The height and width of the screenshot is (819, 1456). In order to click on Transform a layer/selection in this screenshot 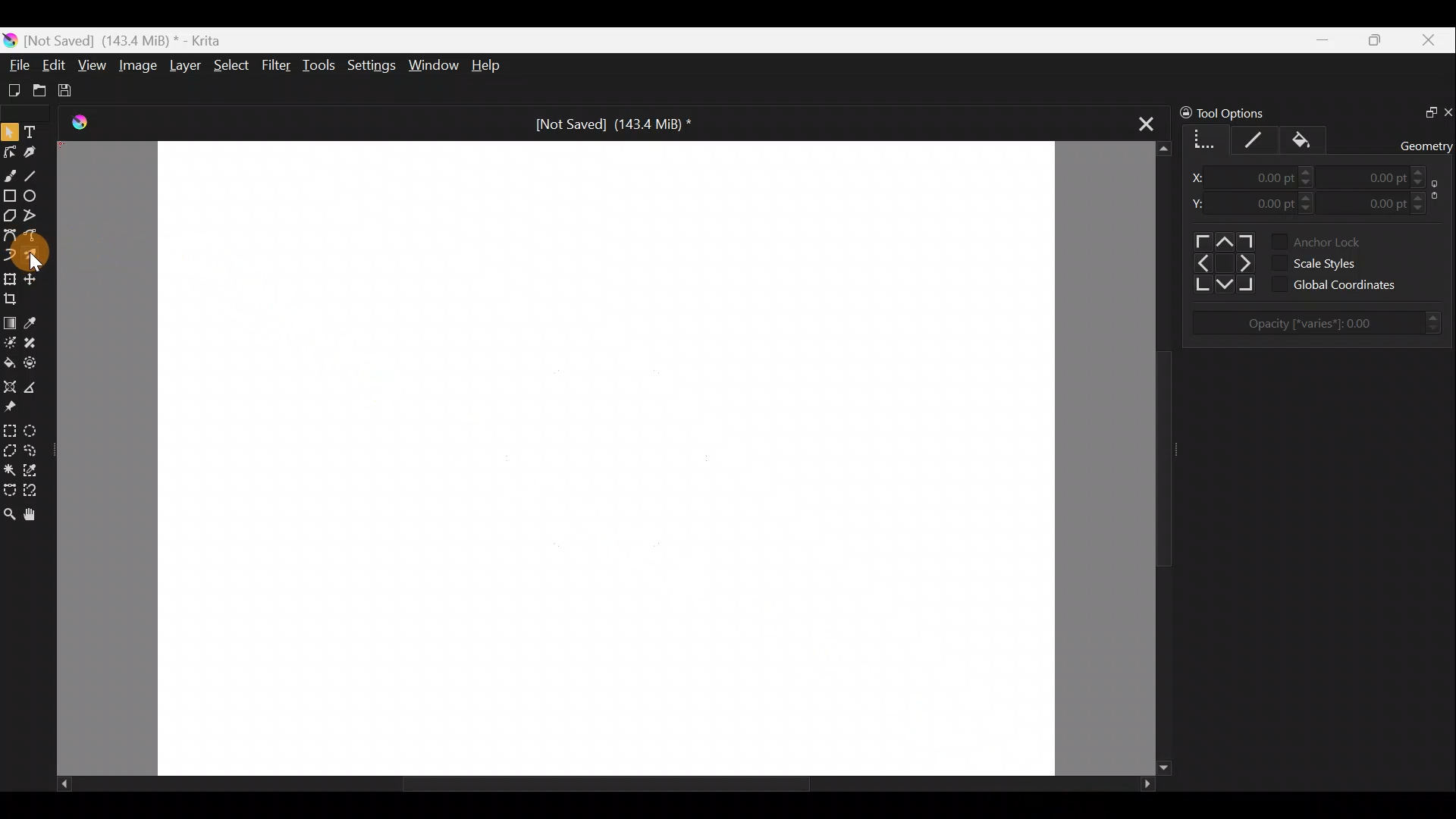, I will do `click(10, 278)`.